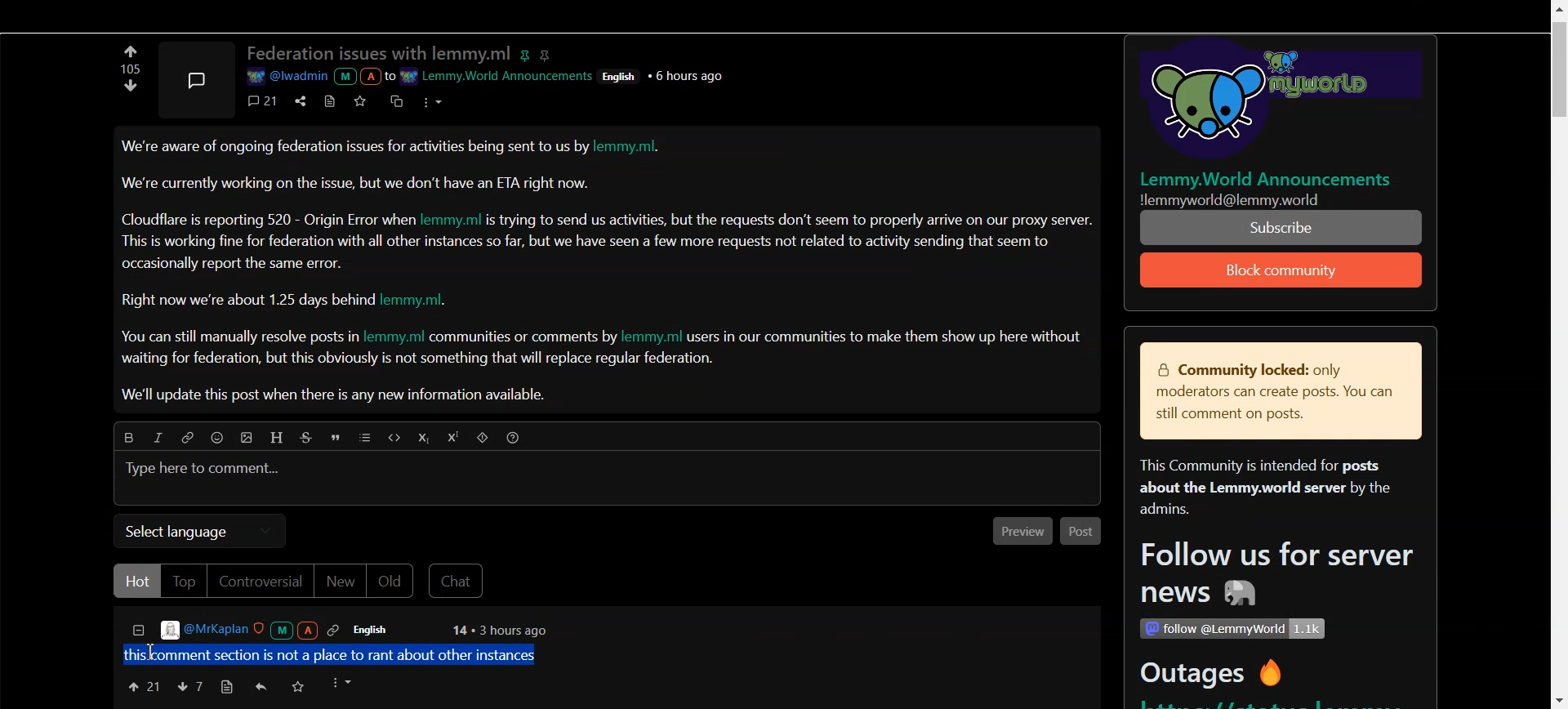  What do you see at coordinates (156, 653) in the screenshot?
I see `Cursor` at bounding box center [156, 653].